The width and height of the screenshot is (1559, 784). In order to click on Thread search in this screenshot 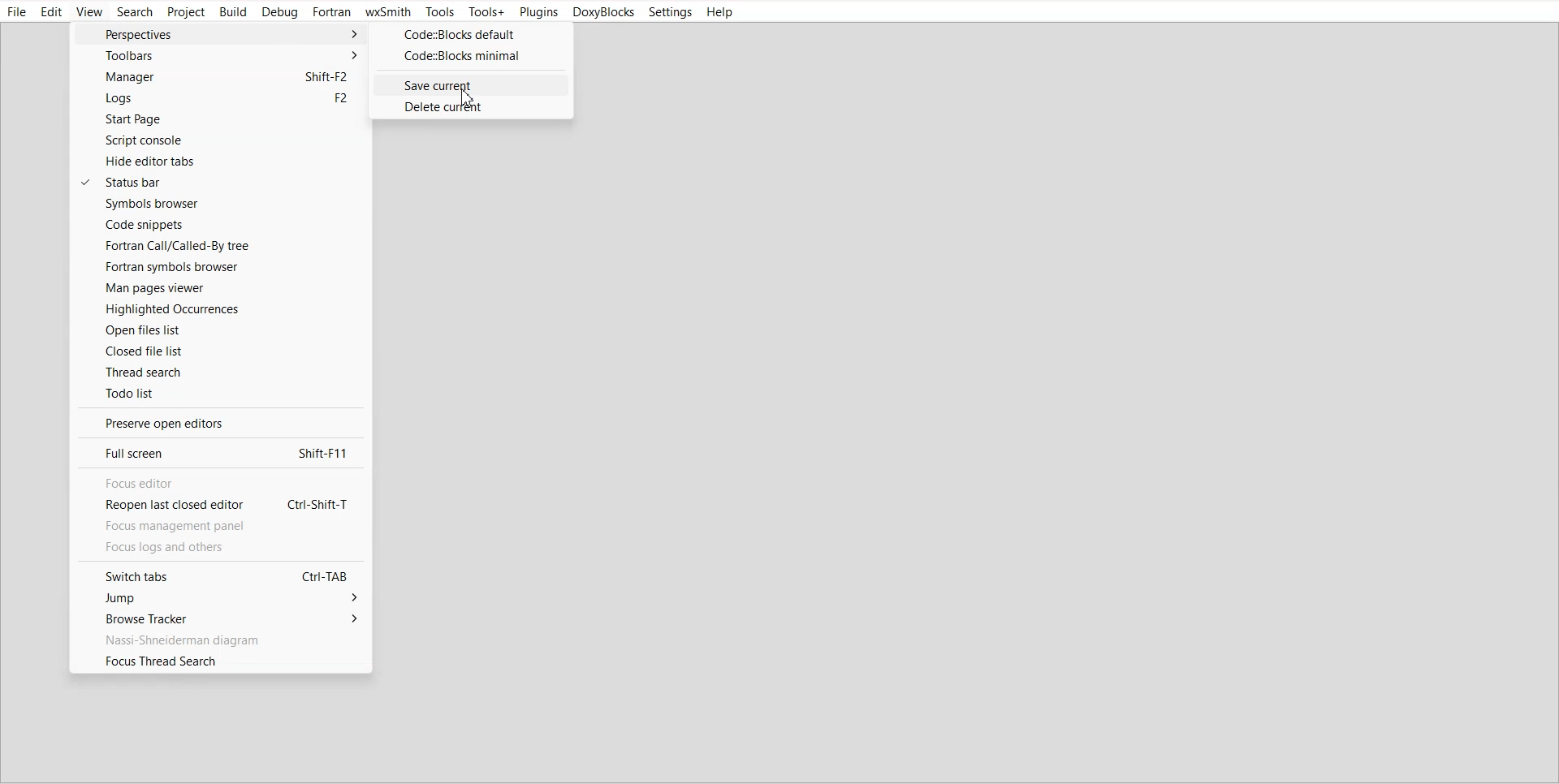, I will do `click(221, 371)`.